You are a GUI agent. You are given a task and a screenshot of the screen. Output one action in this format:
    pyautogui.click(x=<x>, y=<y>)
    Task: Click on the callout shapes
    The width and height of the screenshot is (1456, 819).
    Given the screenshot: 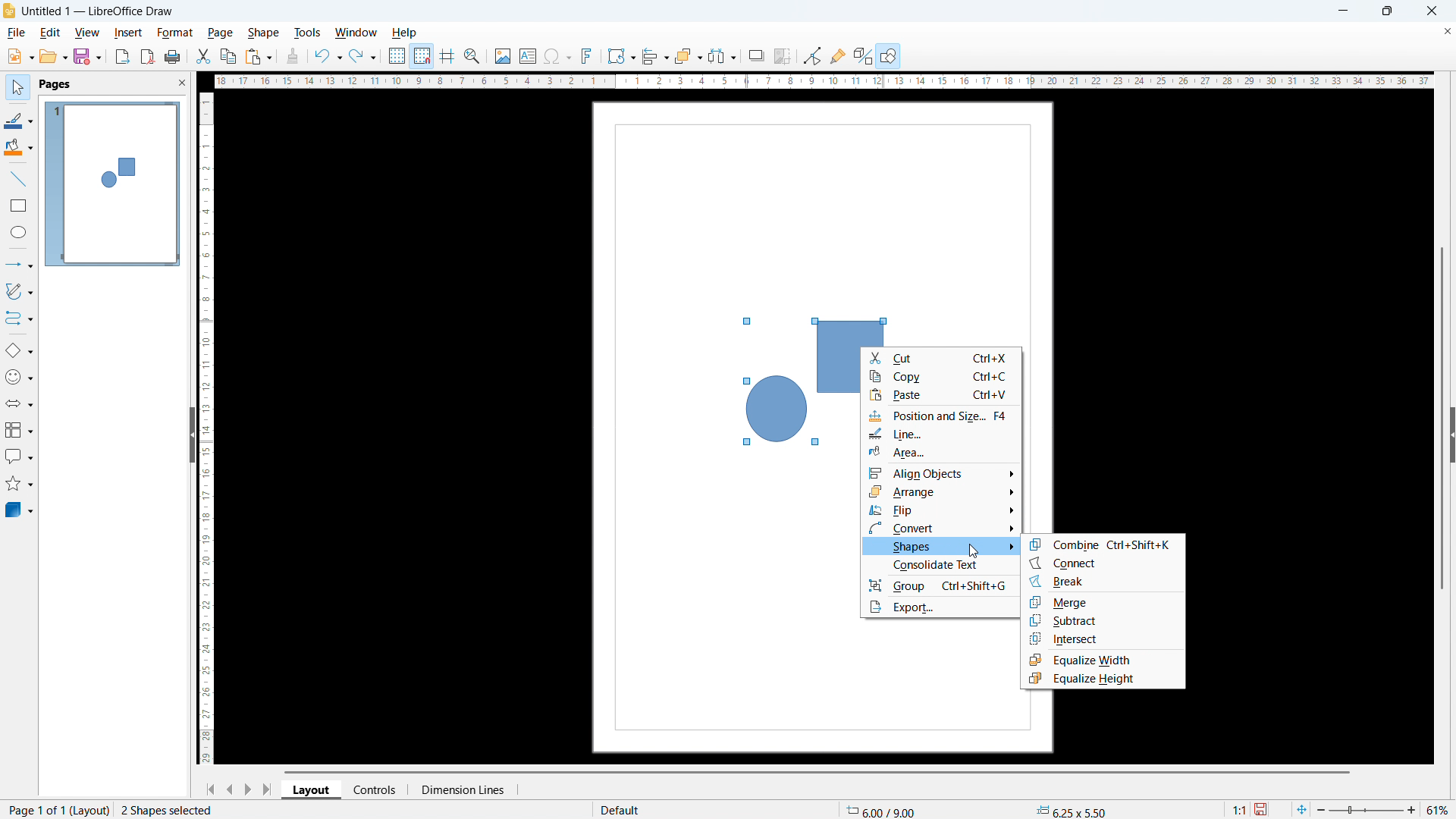 What is the action you would take?
    pyautogui.click(x=18, y=457)
    